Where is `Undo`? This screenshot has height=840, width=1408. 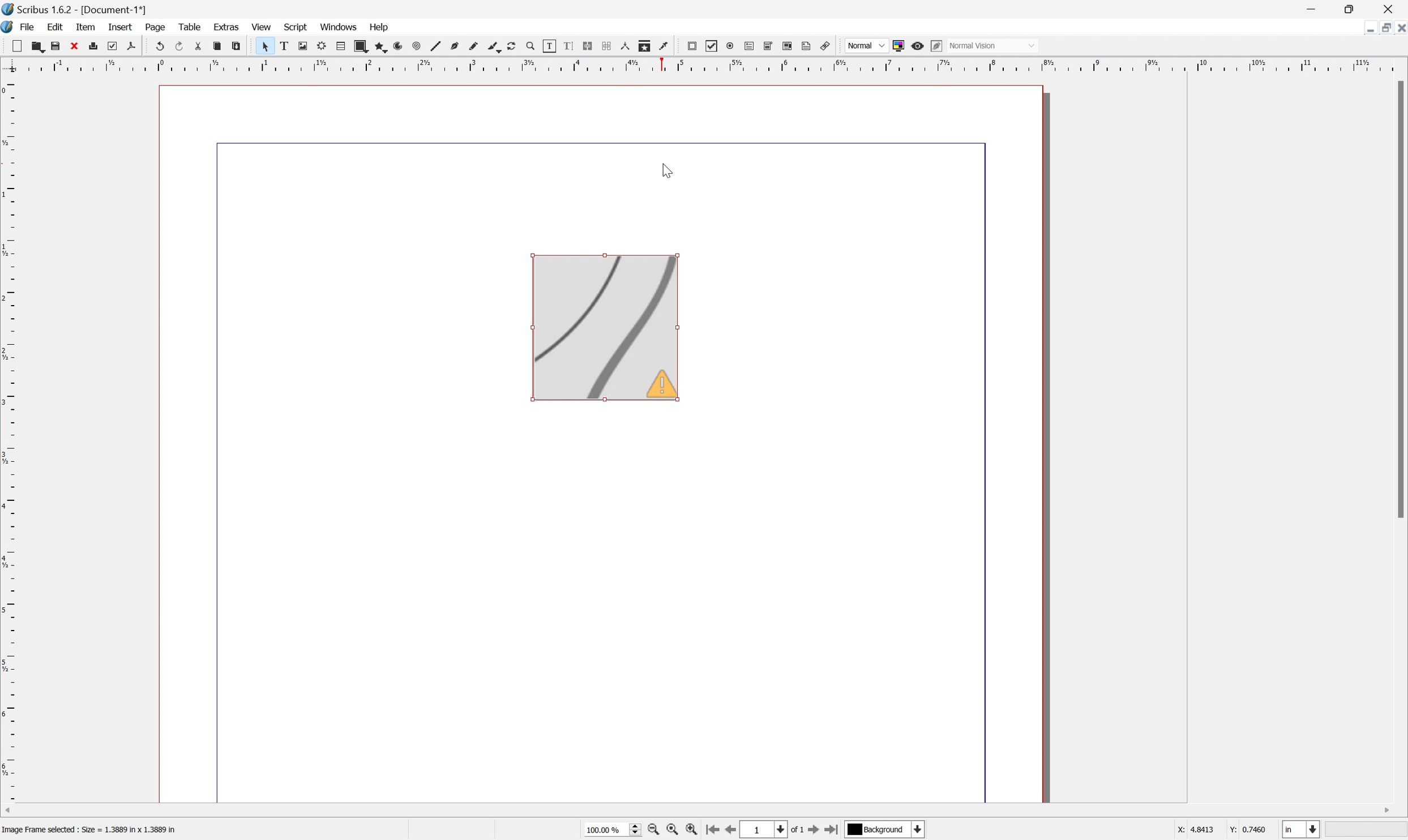 Undo is located at coordinates (161, 45).